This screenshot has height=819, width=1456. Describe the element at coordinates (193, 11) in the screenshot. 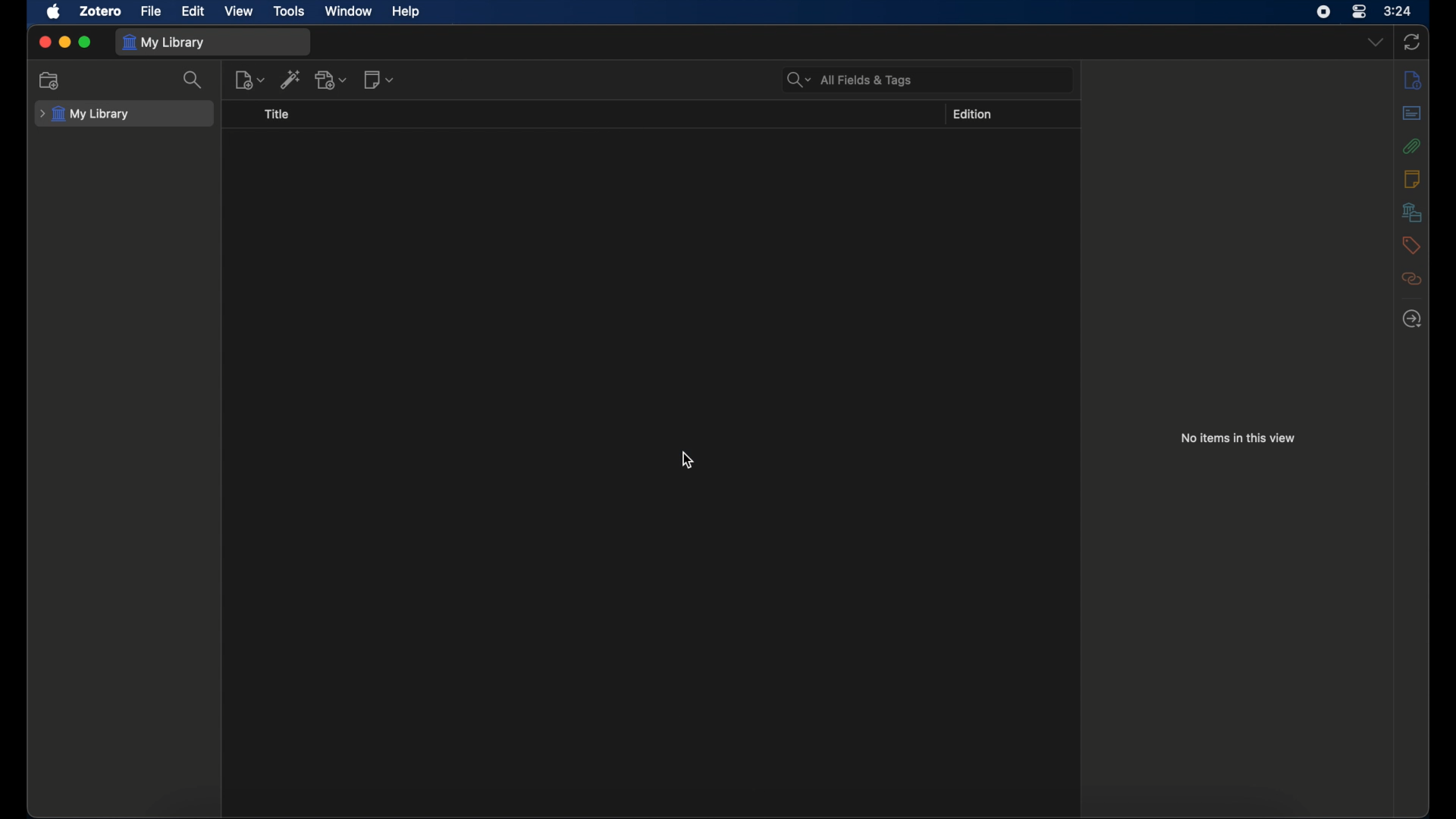

I see `edit` at that location.